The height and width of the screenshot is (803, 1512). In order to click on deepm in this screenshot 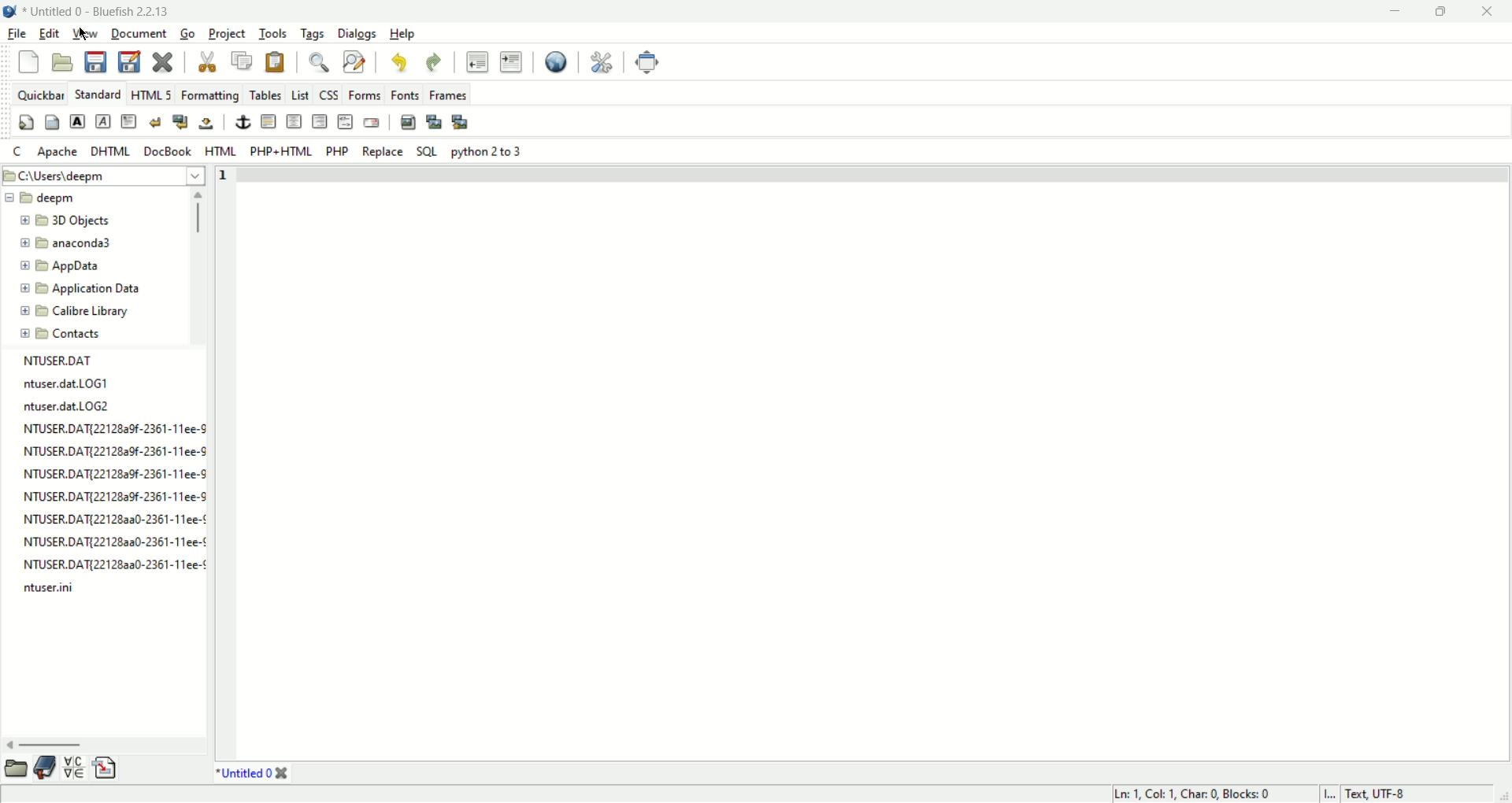, I will do `click(46, 199)`.